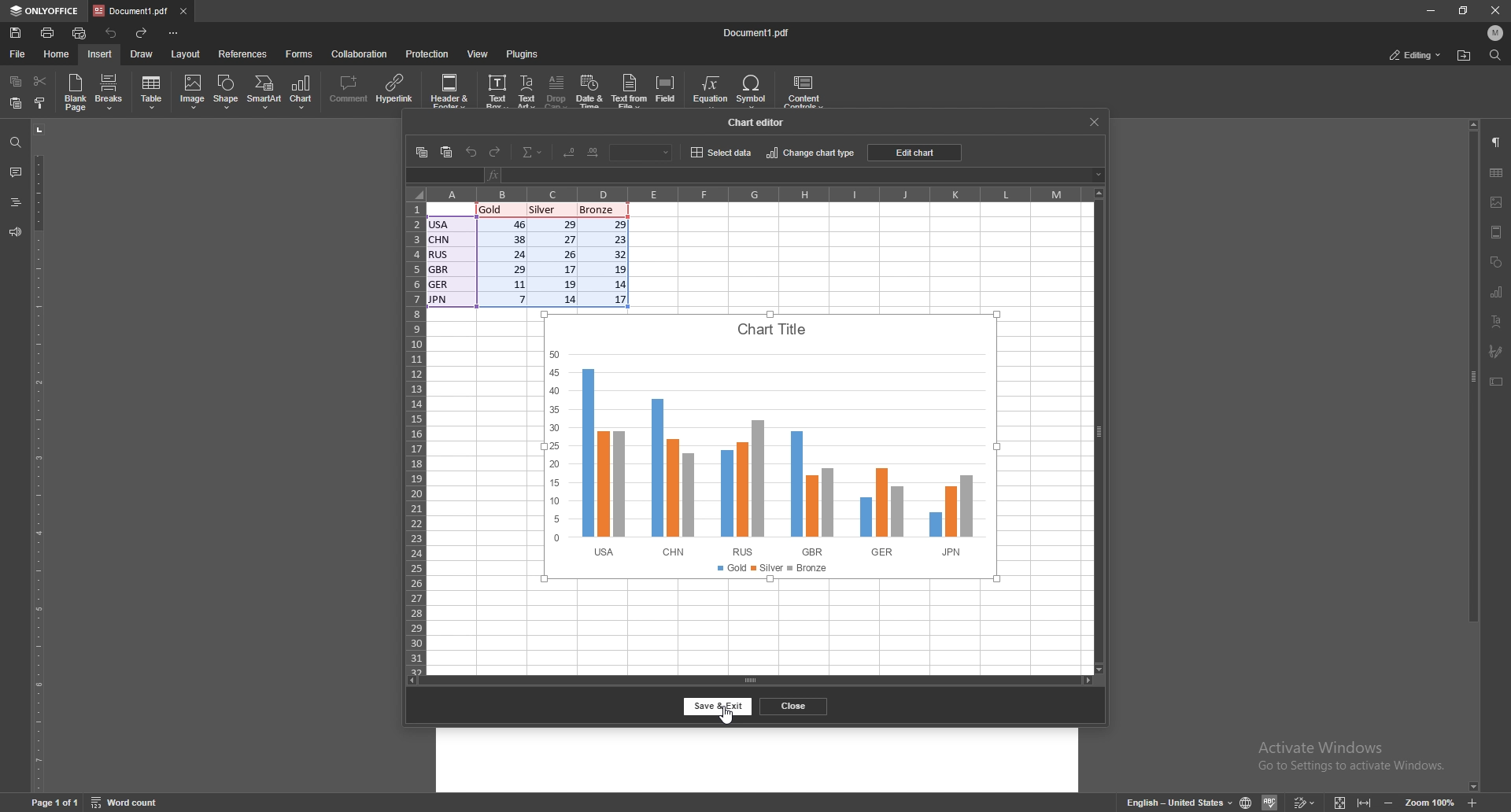 This screenshot has width=1511, height=812. Describe the element at coordinates (512, 268) in the screenshot. I see `29` at that location.